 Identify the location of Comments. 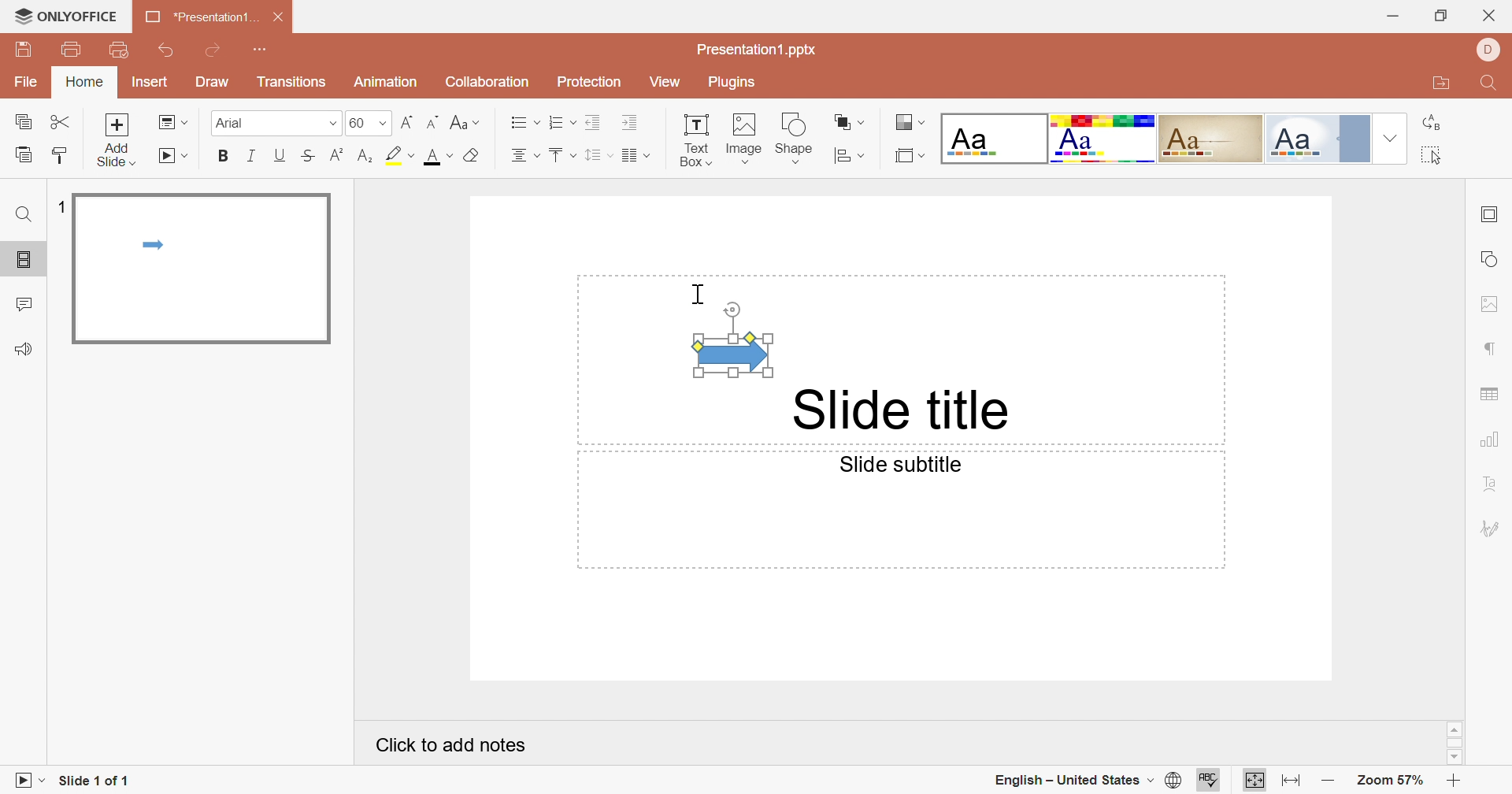
(24, 303).